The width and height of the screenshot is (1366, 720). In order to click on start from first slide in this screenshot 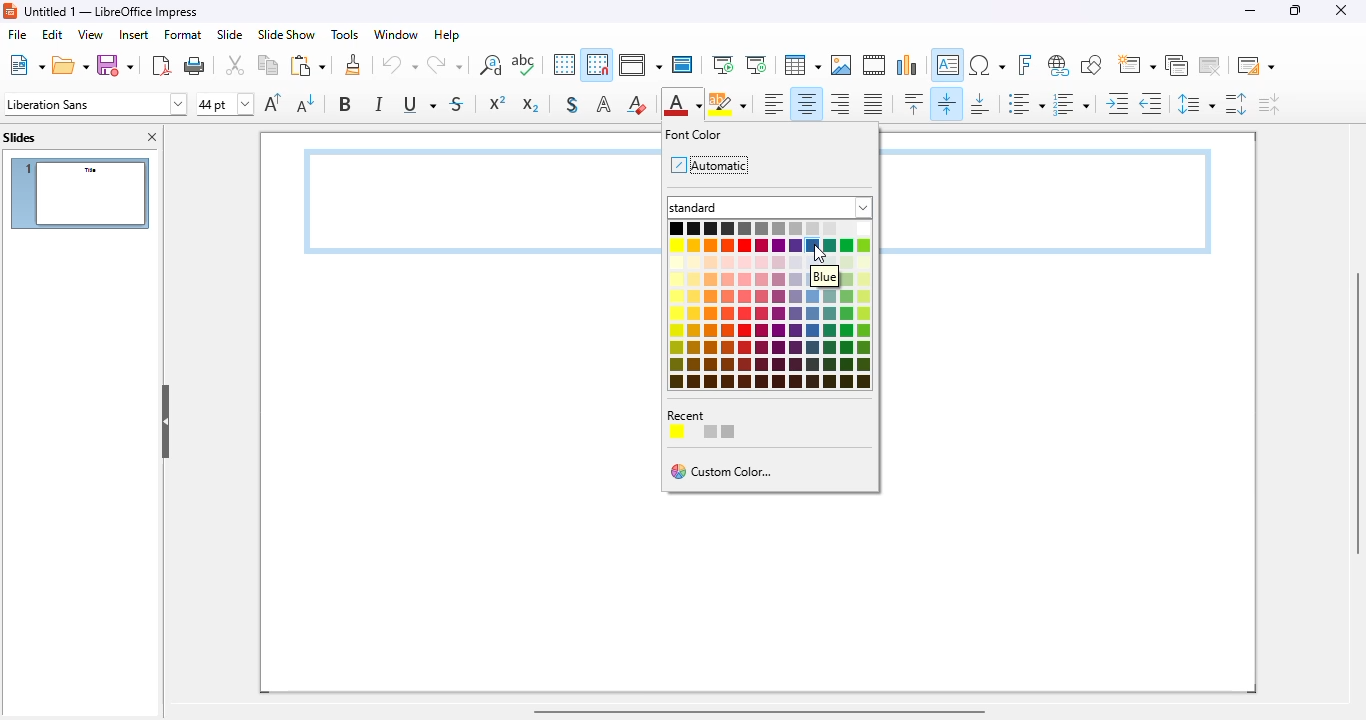, I will do `click(723, 65)`.